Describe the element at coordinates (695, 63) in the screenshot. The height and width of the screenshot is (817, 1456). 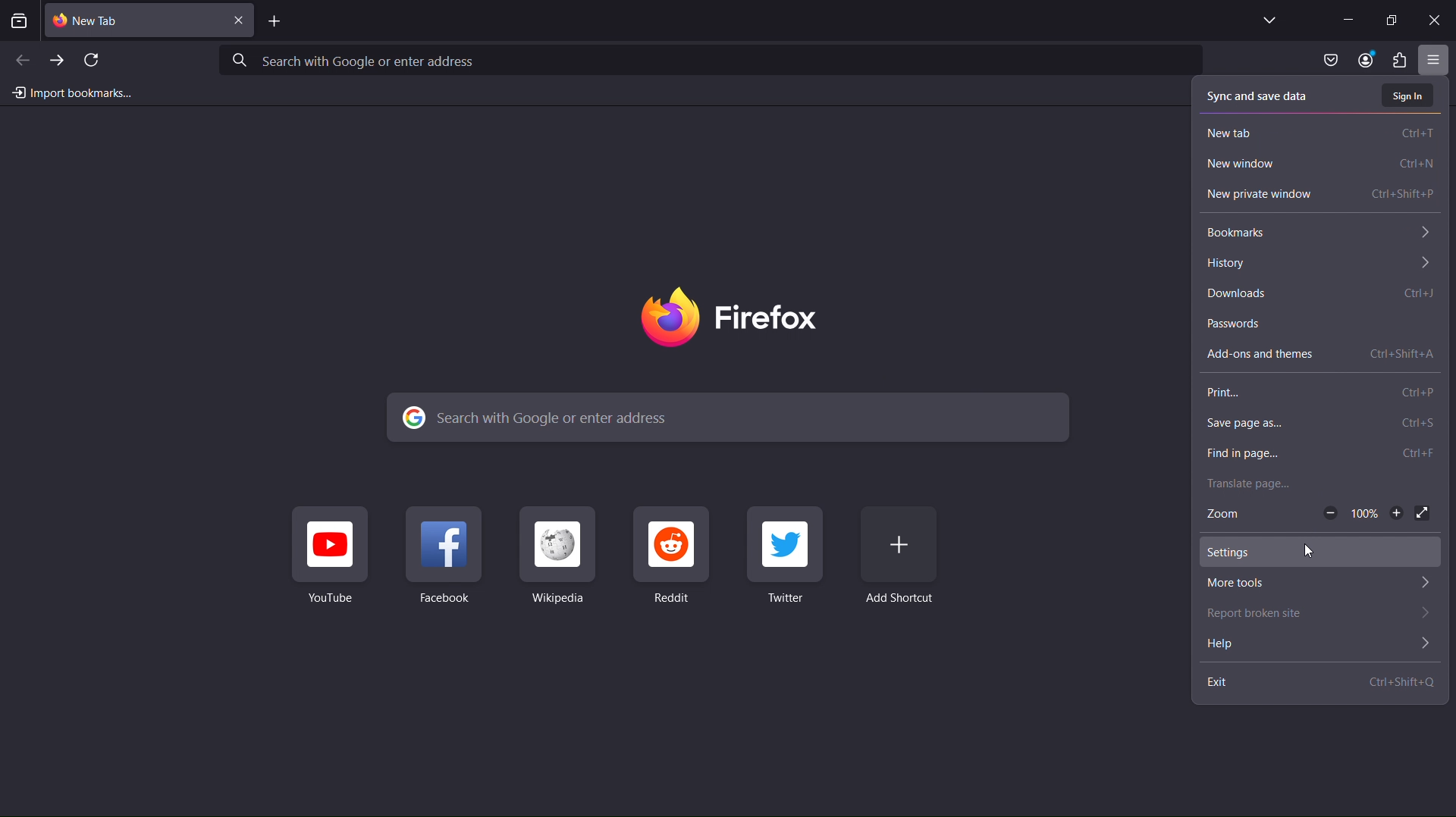
I see `Search with Google or enter address` at that location.